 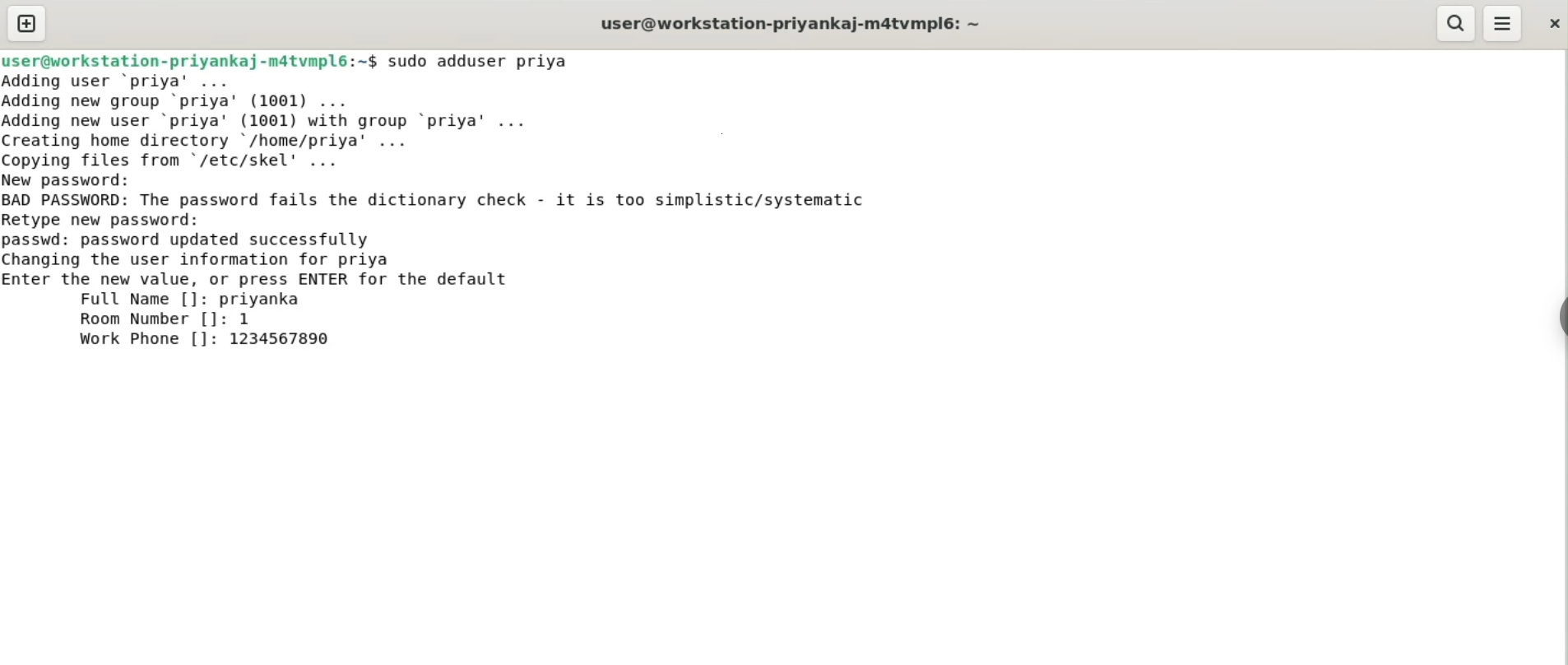 I want to click on close, so click(x=1552, y=23).